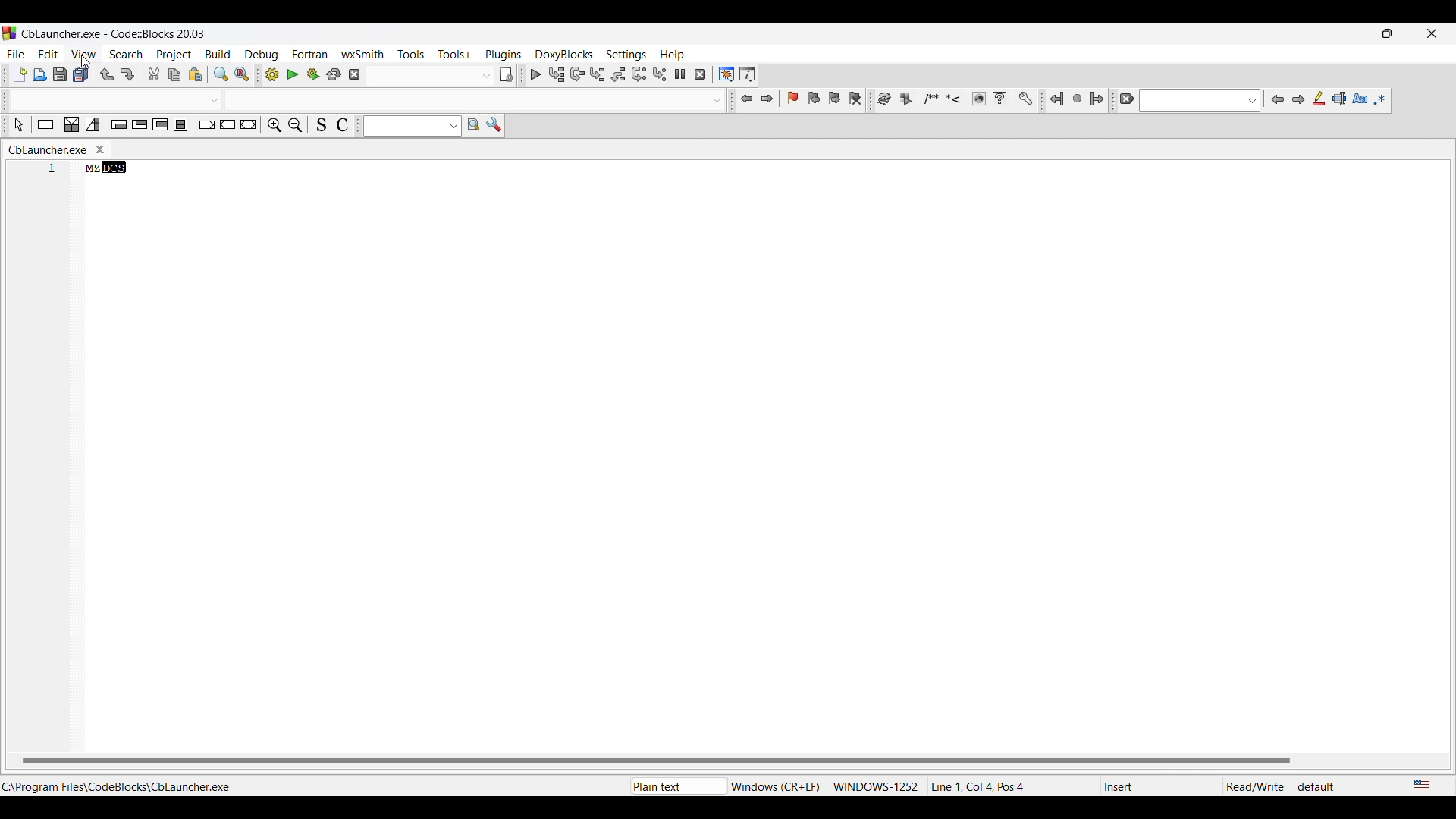  Describe the element at coordinates (726, 74) in the screenshot. I see `Debugging windows` at that location.